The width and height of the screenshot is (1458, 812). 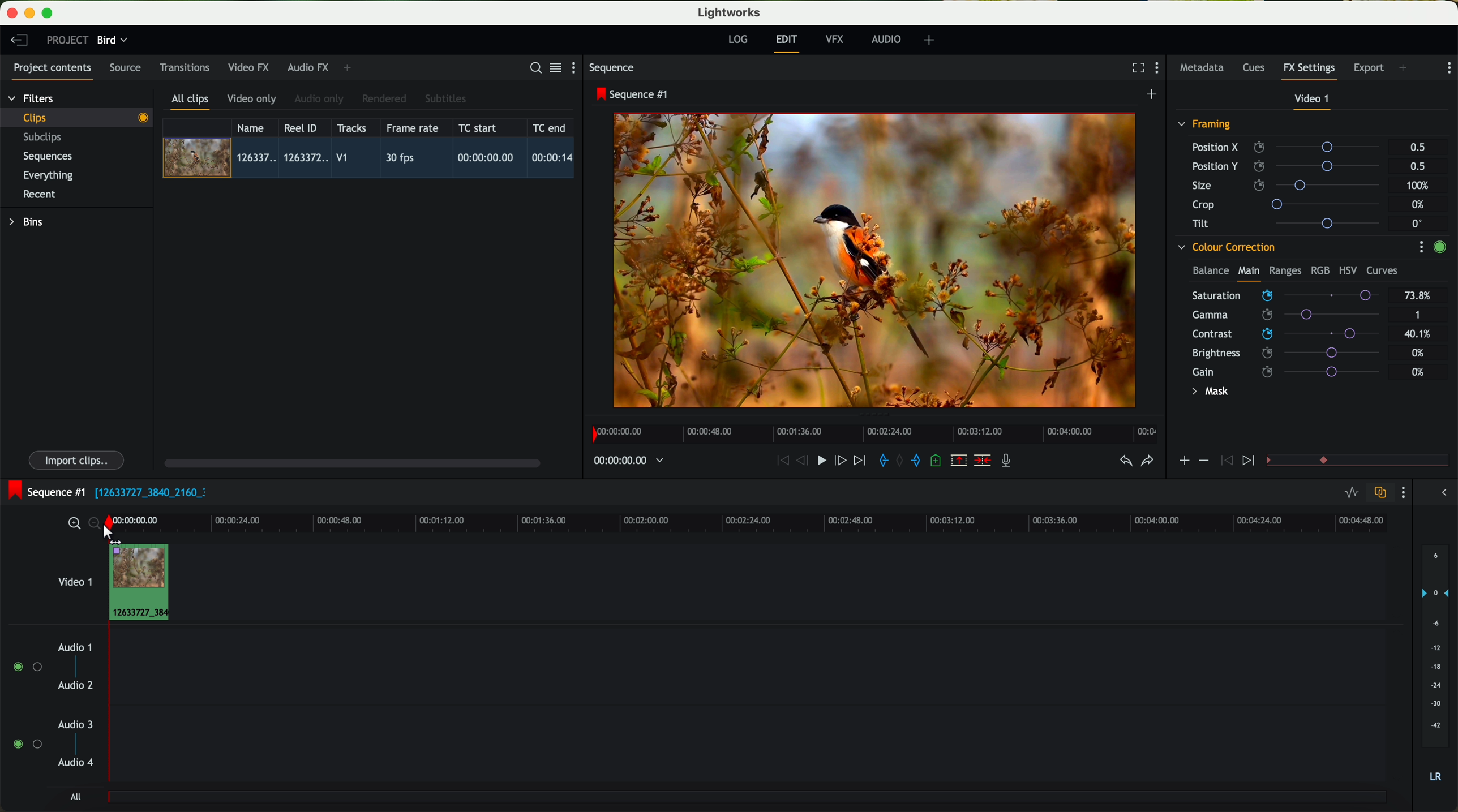 What do you see at coordinates (1205, 126) in the screenshot?
I see `framing` at bounding box center [1205, 126].